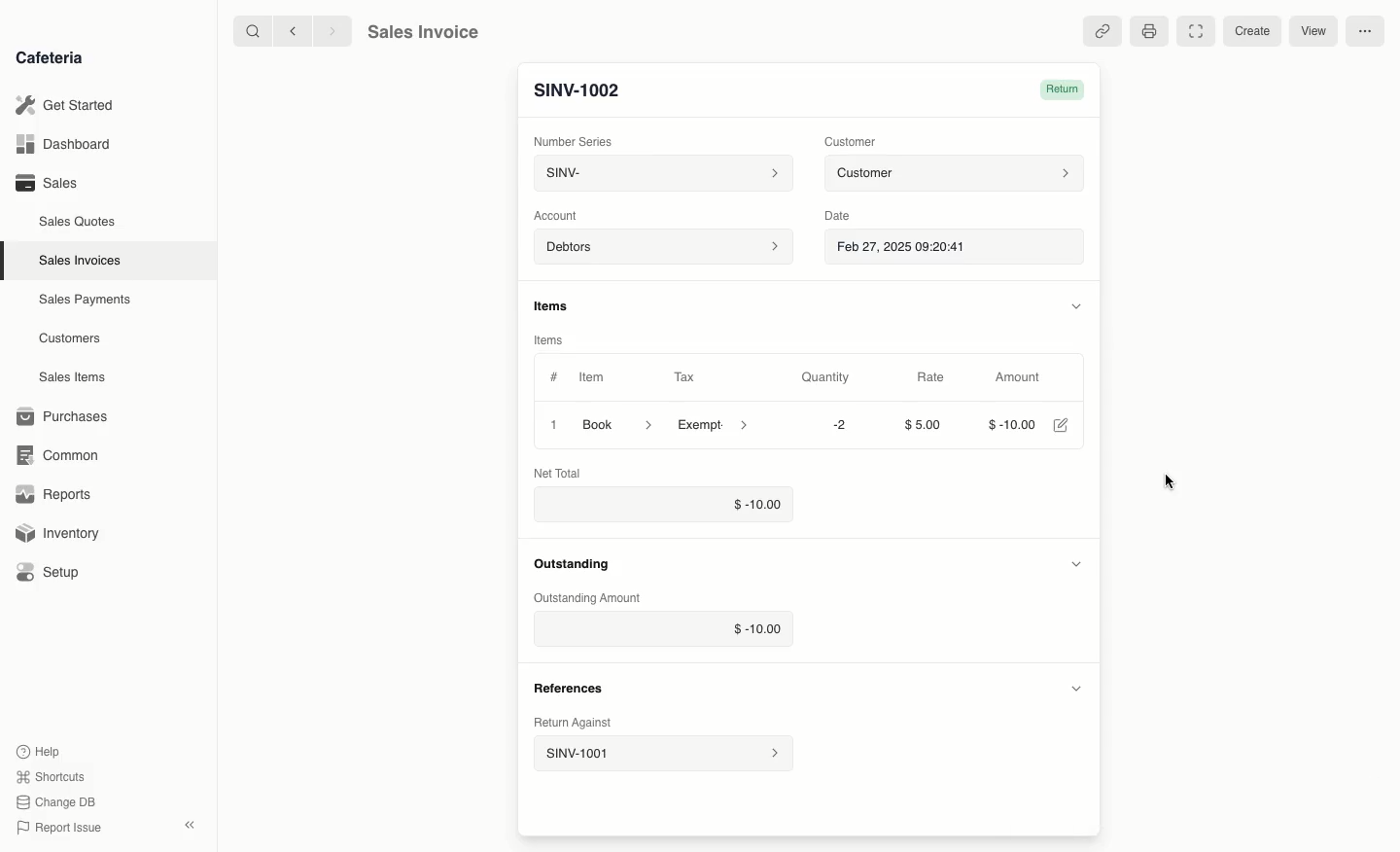  Describe the element at coordinates (40, 749) in the screenshot. I see `Help` at that location.